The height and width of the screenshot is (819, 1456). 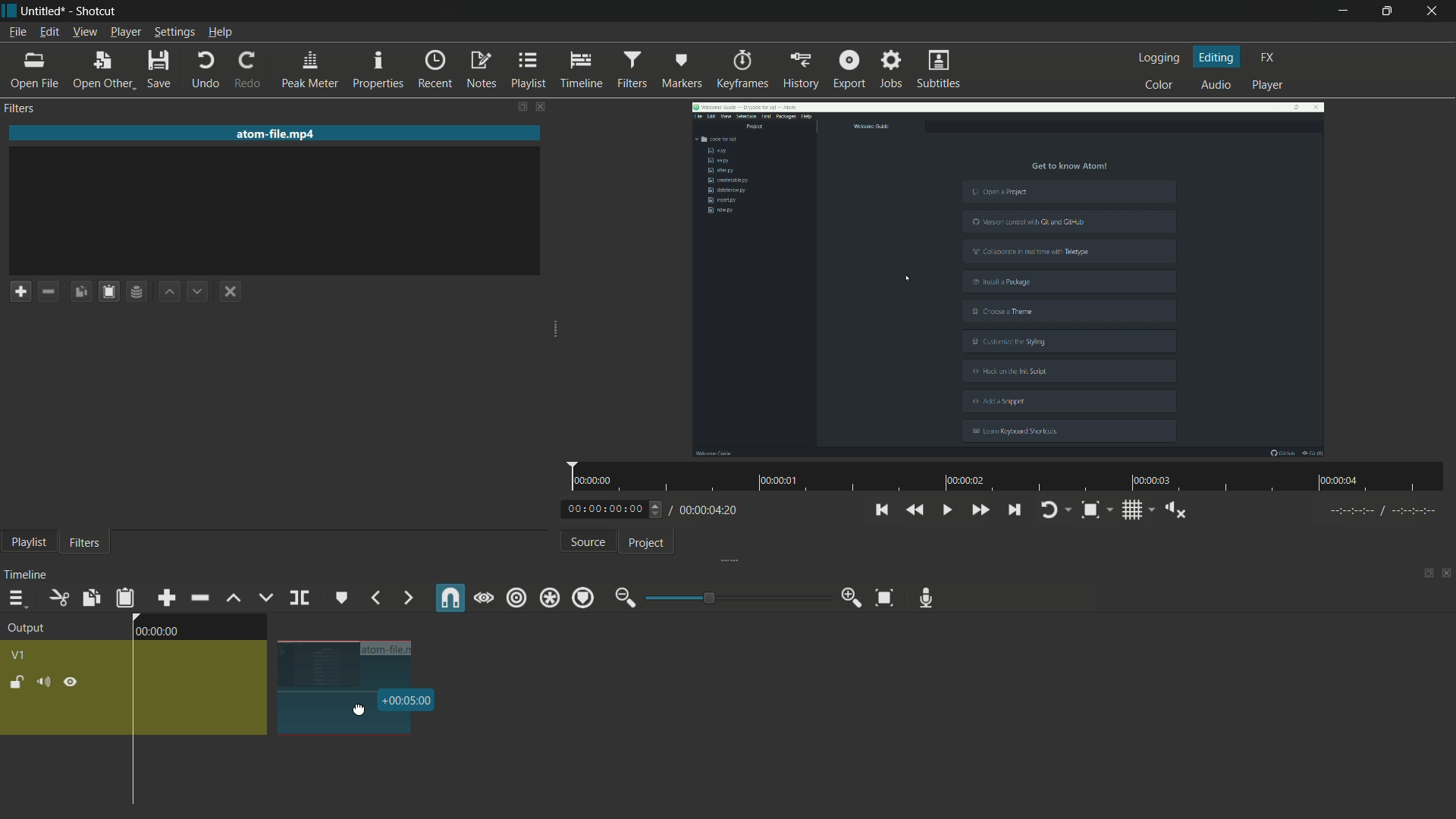 I want to click on logging, so click(x=1156, y=58).